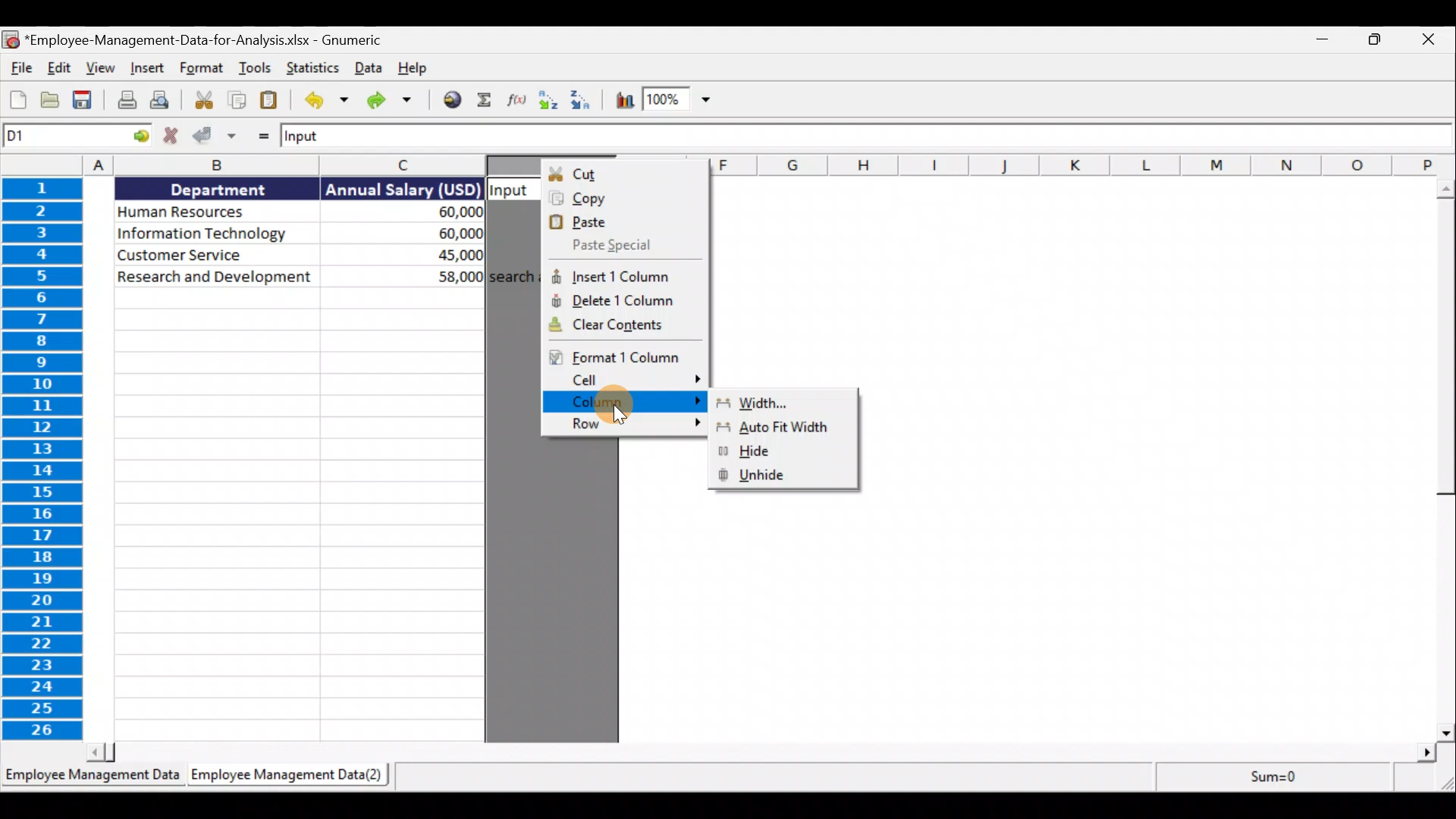  I want to click on Minimise, so click(1321, 39).